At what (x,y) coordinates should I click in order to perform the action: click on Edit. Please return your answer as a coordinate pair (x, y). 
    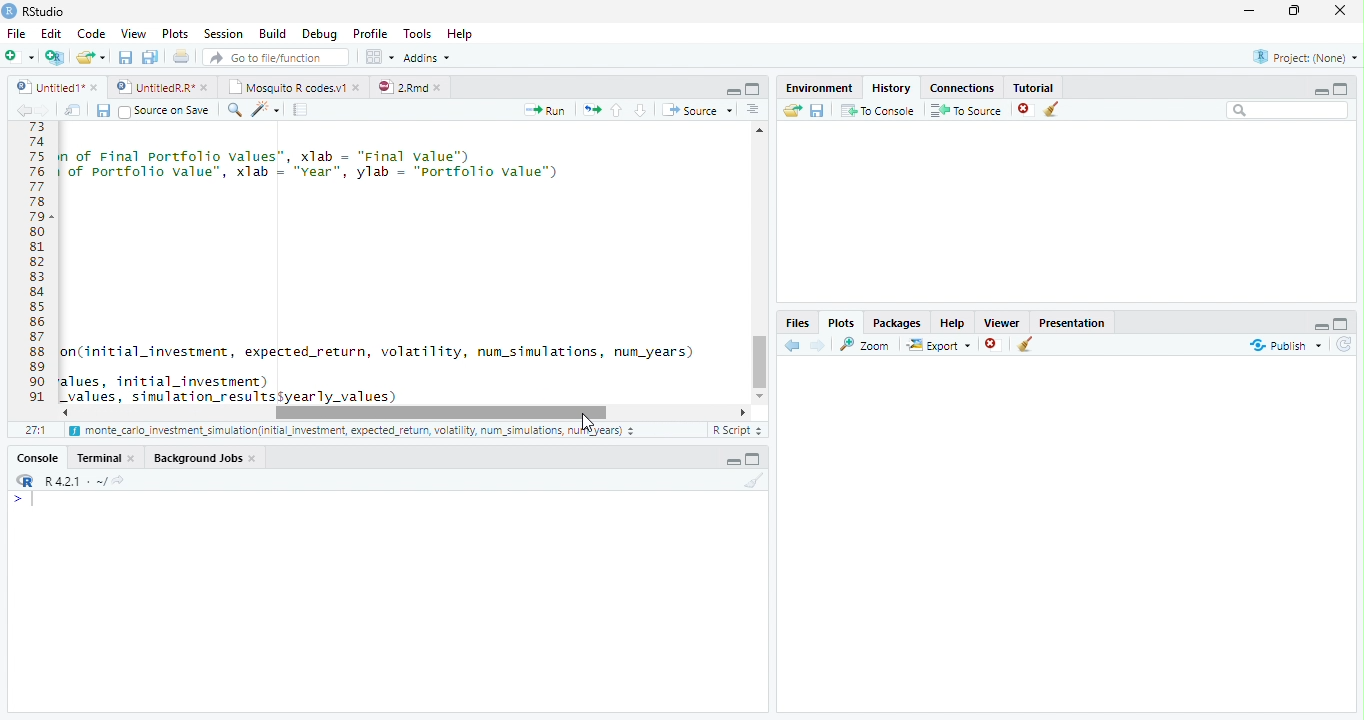
    Looking at the image, I should click on (50, 32).